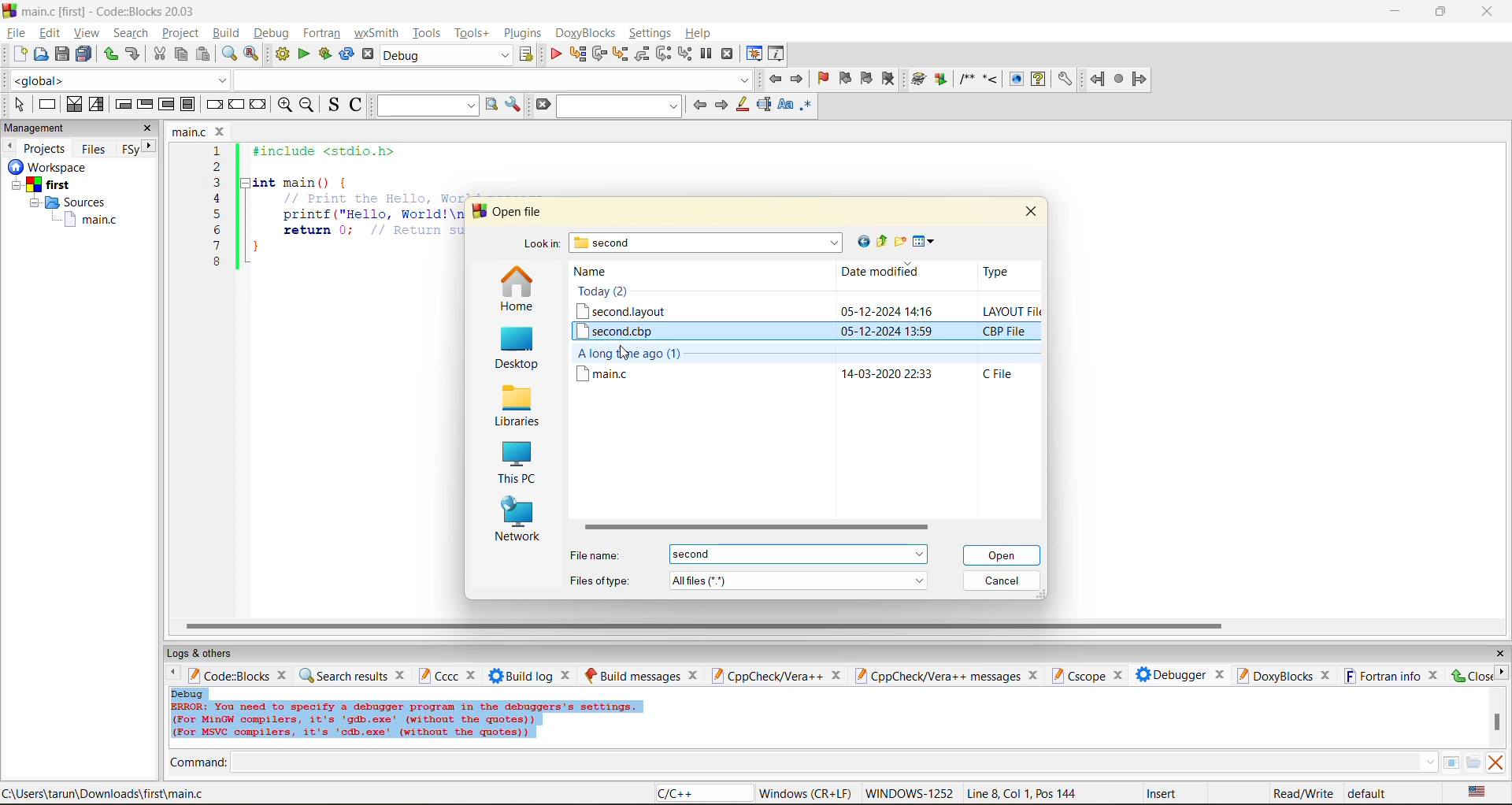 This screenshot has height=805, width=1512. I want to click on next, so click(1501, 672).